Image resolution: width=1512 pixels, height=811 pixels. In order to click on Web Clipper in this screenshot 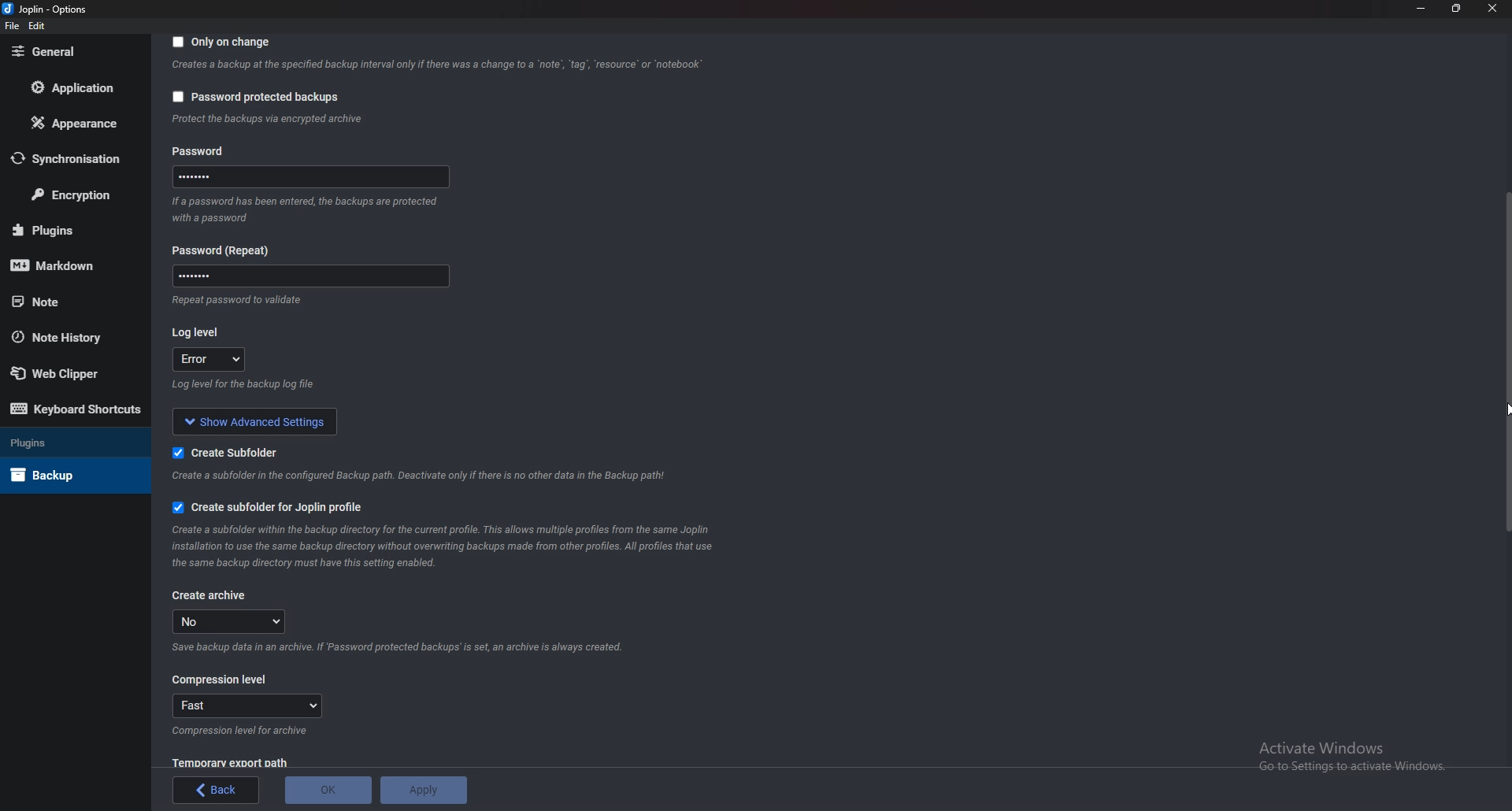, I will do `click(64, 370)`.